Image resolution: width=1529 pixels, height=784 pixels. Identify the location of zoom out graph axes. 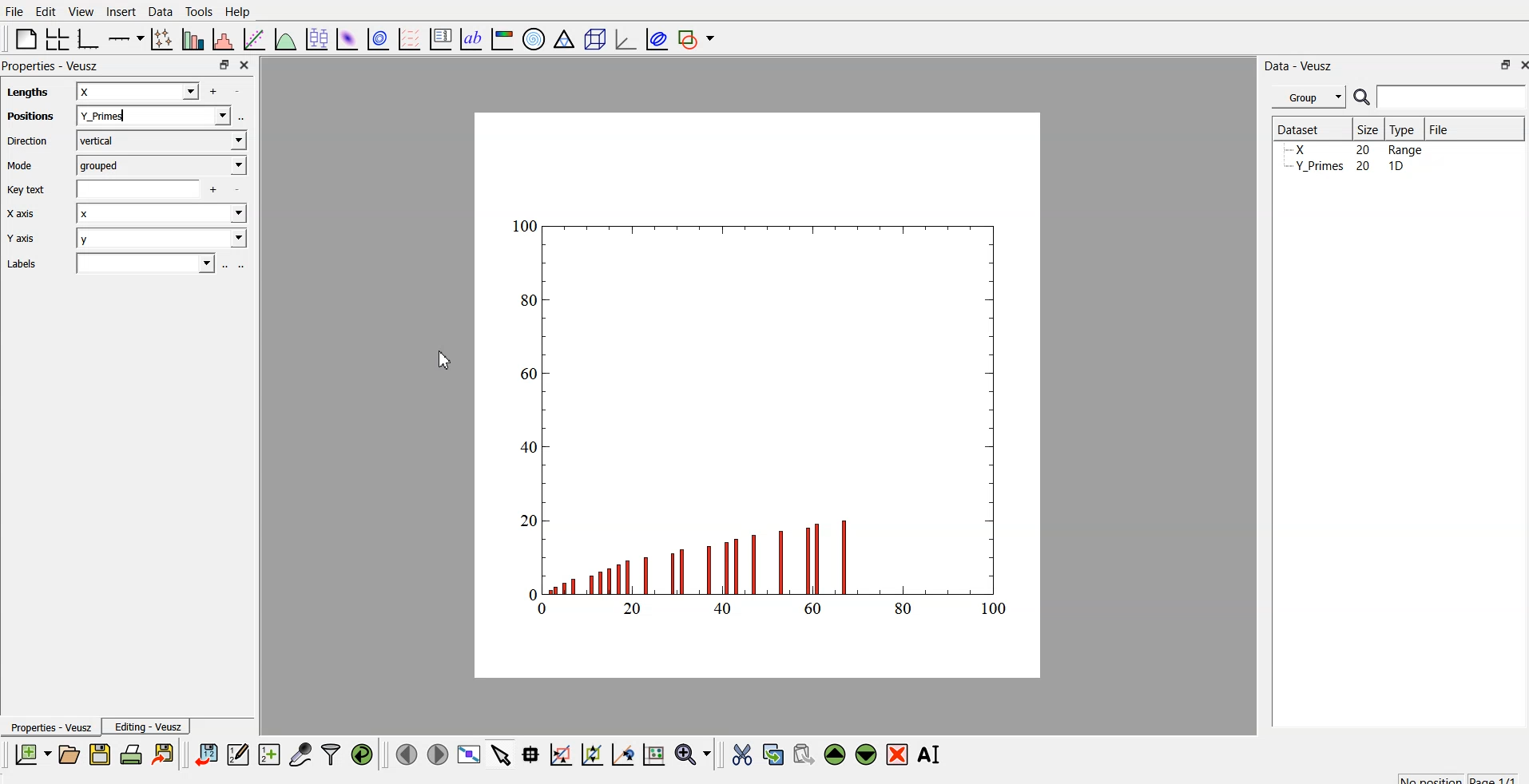
(621, 754).